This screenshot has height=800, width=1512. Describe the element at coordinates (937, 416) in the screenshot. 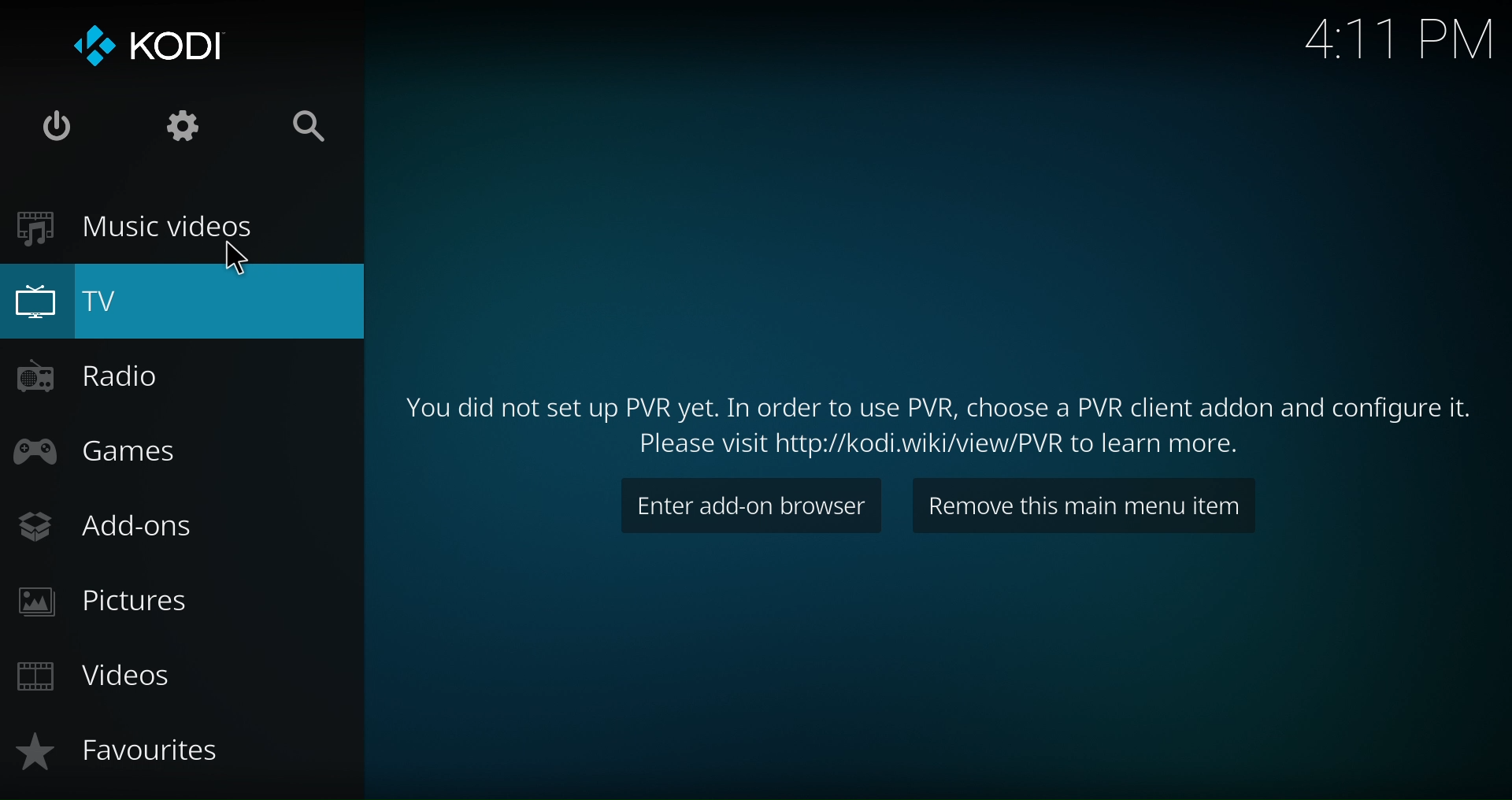

I see `Text` at that location.